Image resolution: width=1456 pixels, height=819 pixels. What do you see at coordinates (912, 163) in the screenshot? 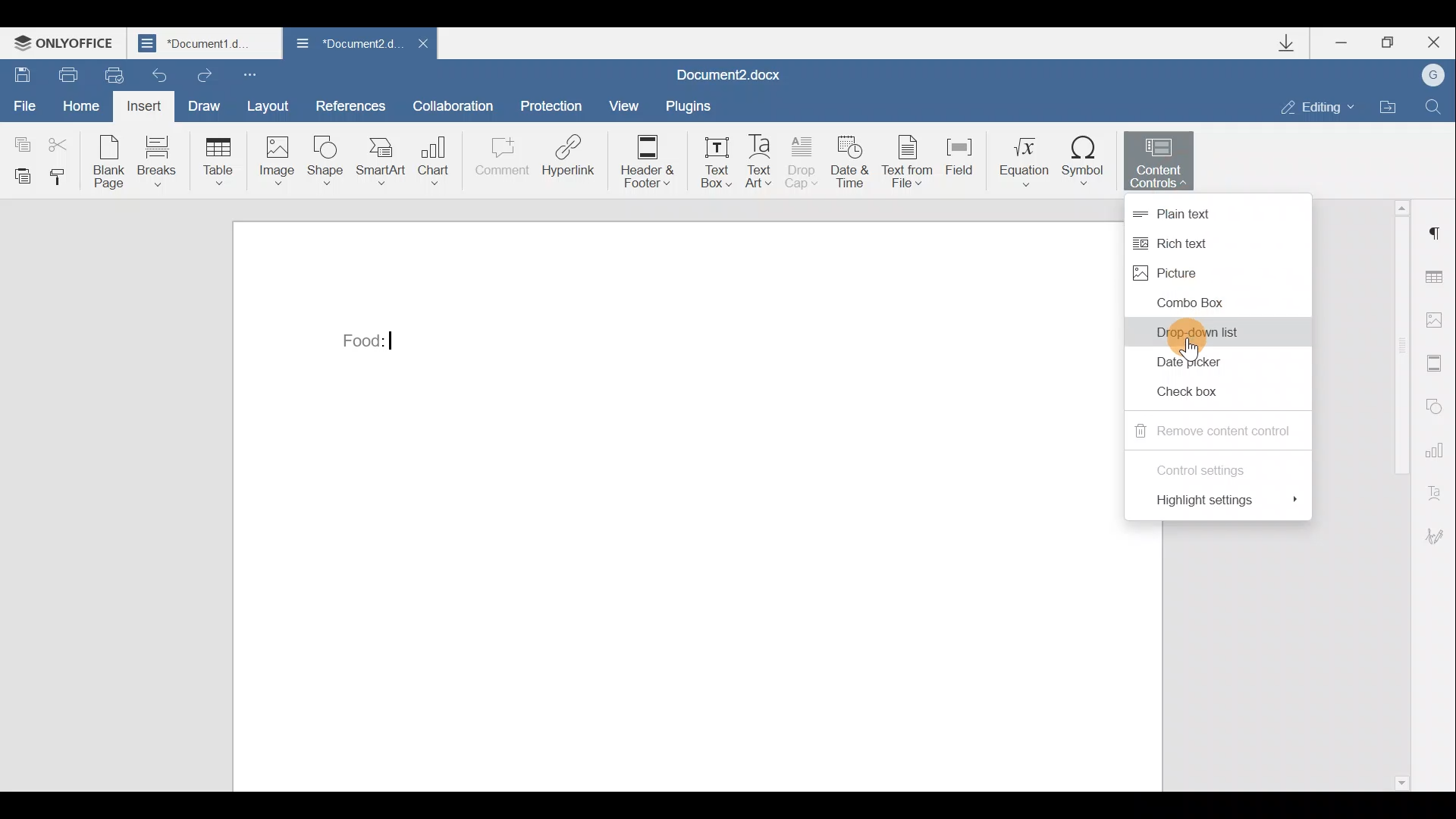
I see `Text from file` at bounding box center [912, 163].